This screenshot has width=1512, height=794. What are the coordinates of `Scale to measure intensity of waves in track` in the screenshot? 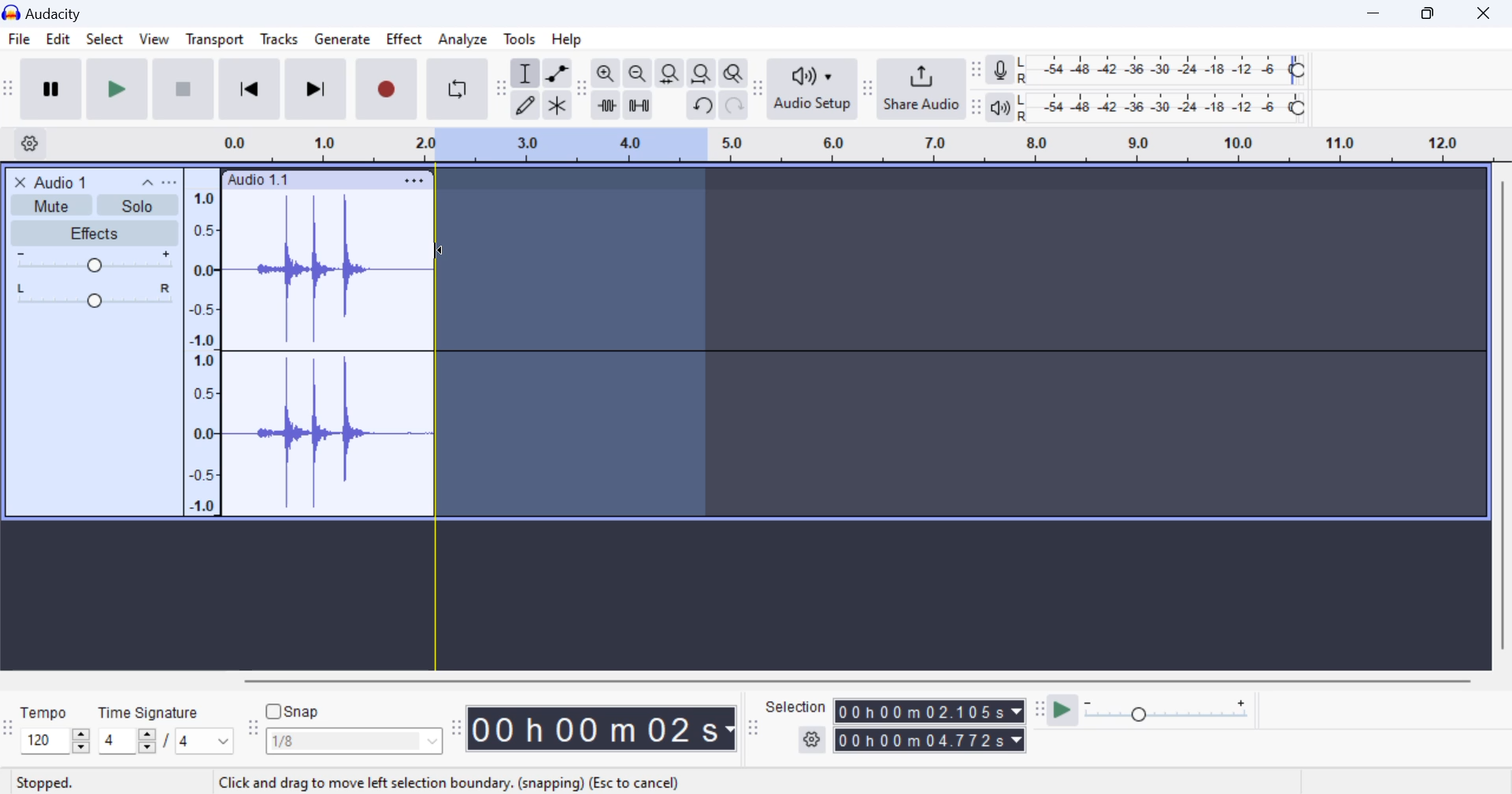 It's located at (201, 349).